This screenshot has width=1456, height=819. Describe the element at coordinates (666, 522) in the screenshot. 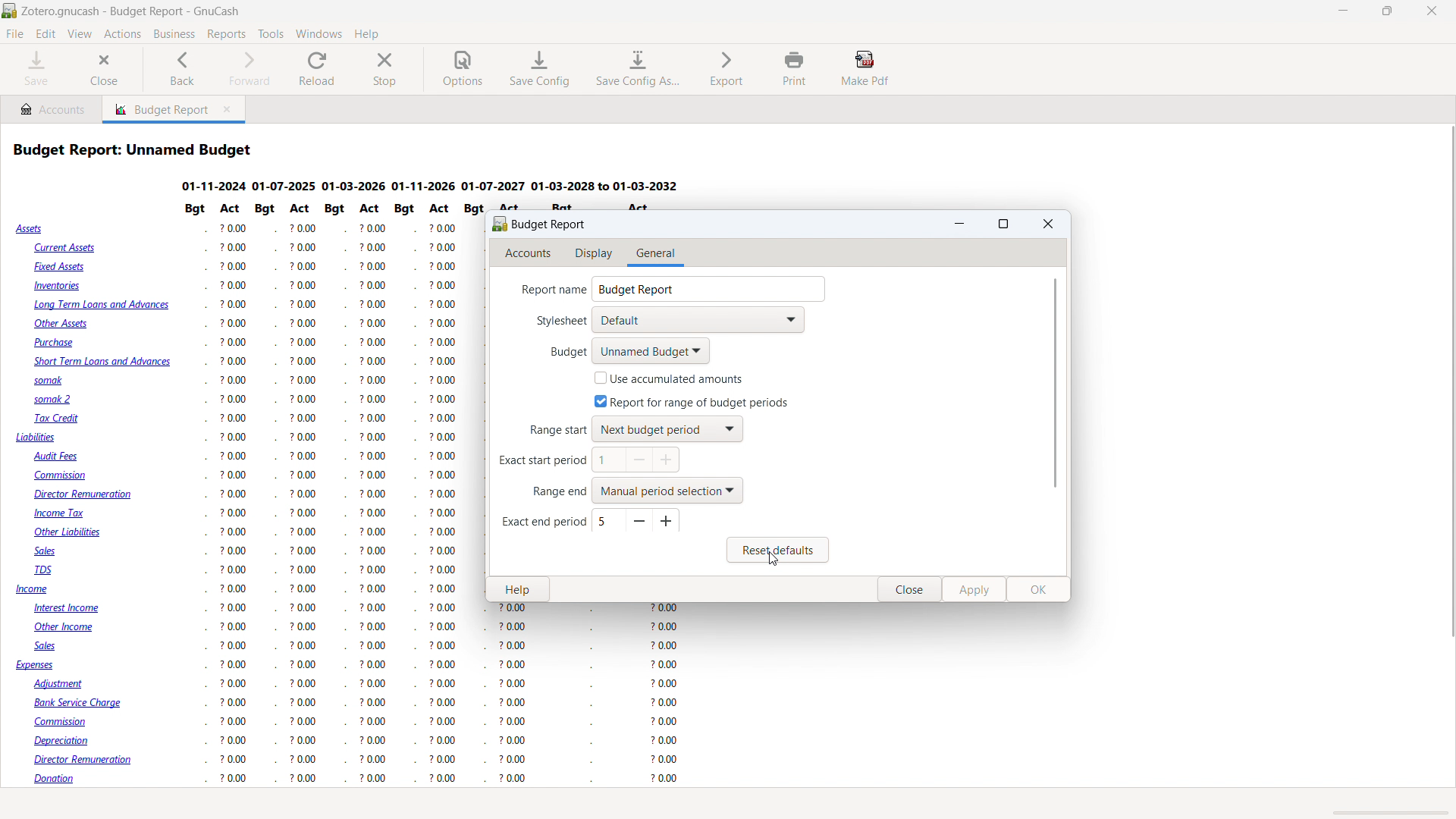

I see `increase exact end period` at that location.